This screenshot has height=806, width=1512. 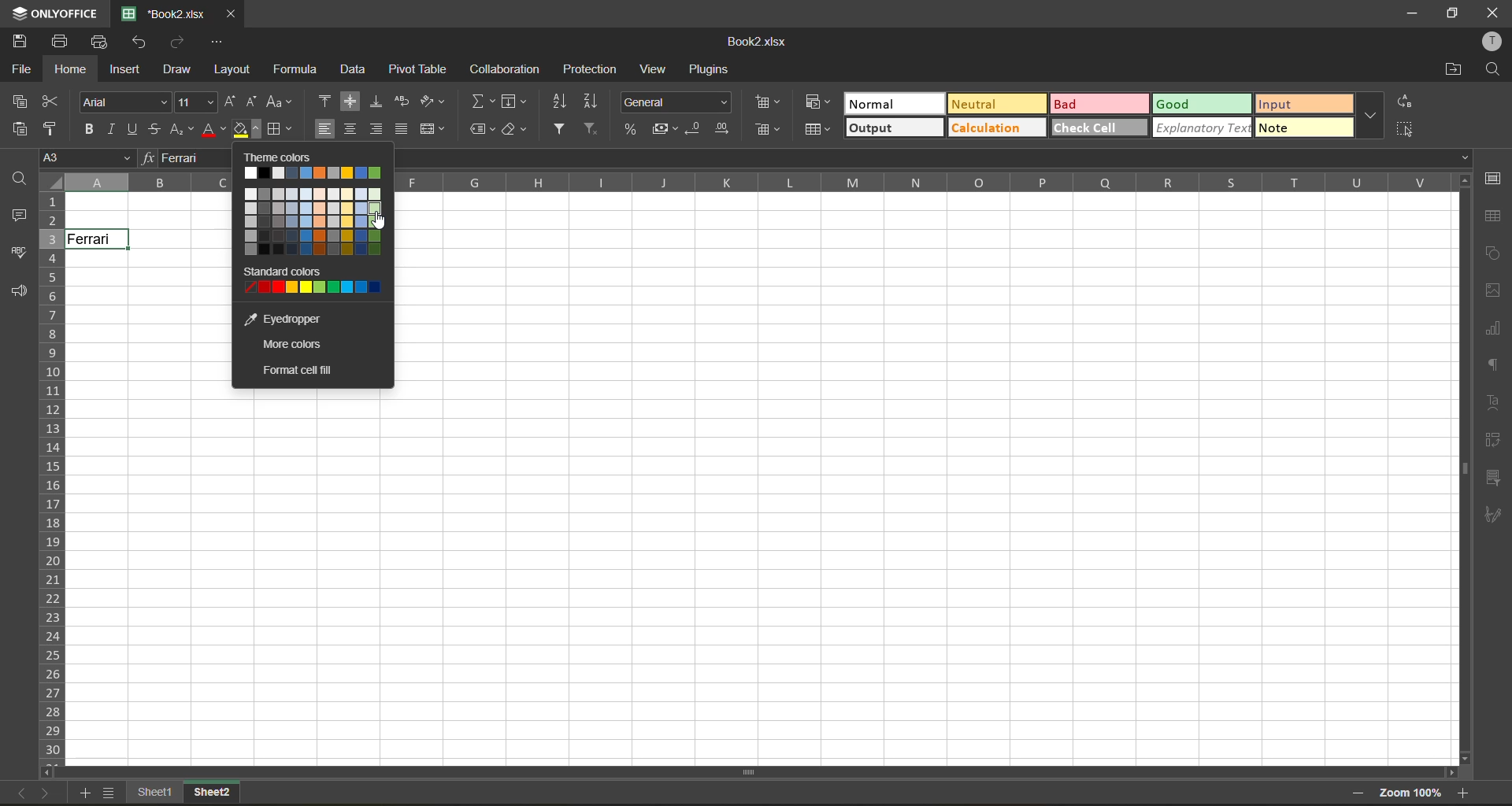 I want to click on undo, so click(x=143, y=44).